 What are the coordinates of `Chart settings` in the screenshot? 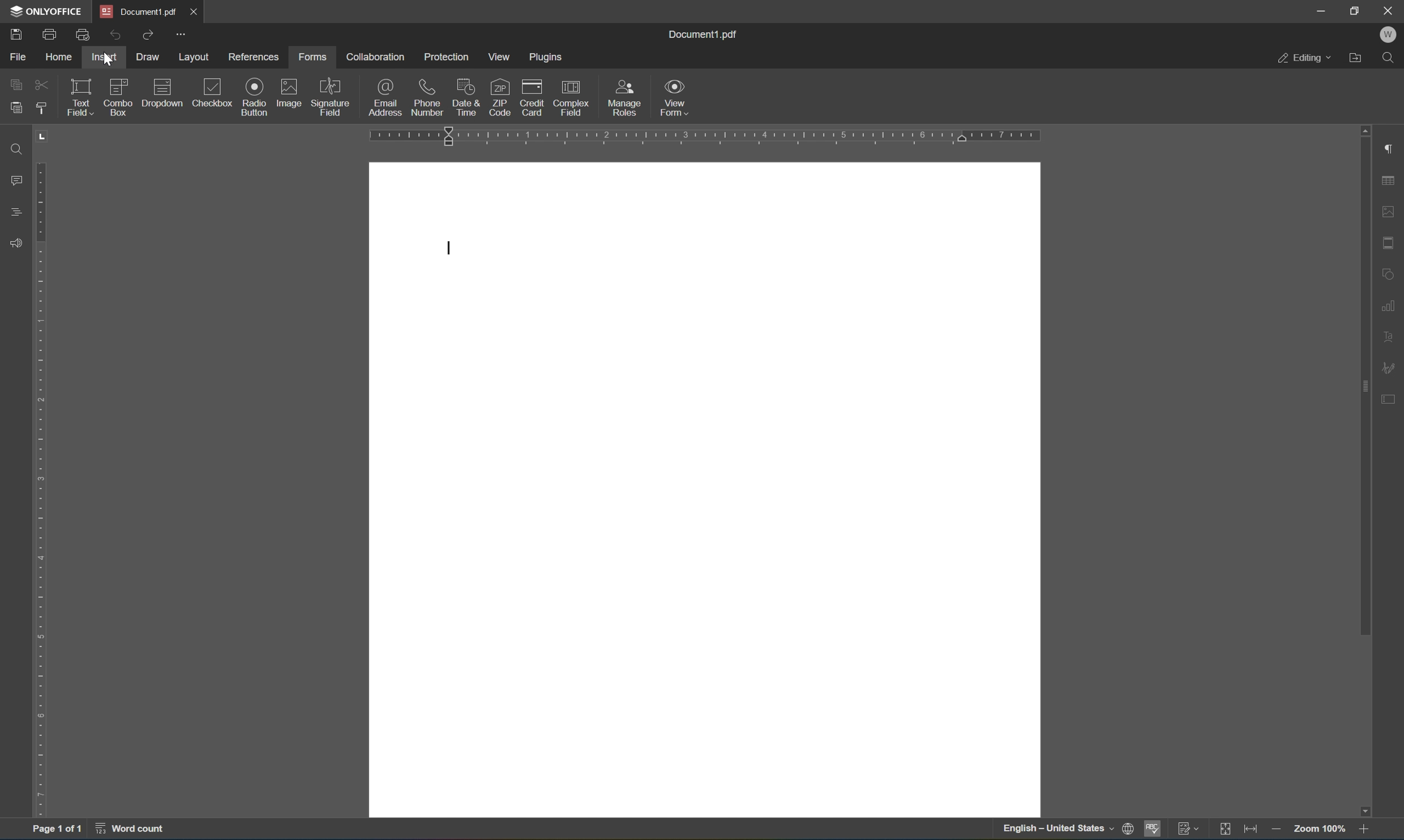 It's located at (1390, 304).